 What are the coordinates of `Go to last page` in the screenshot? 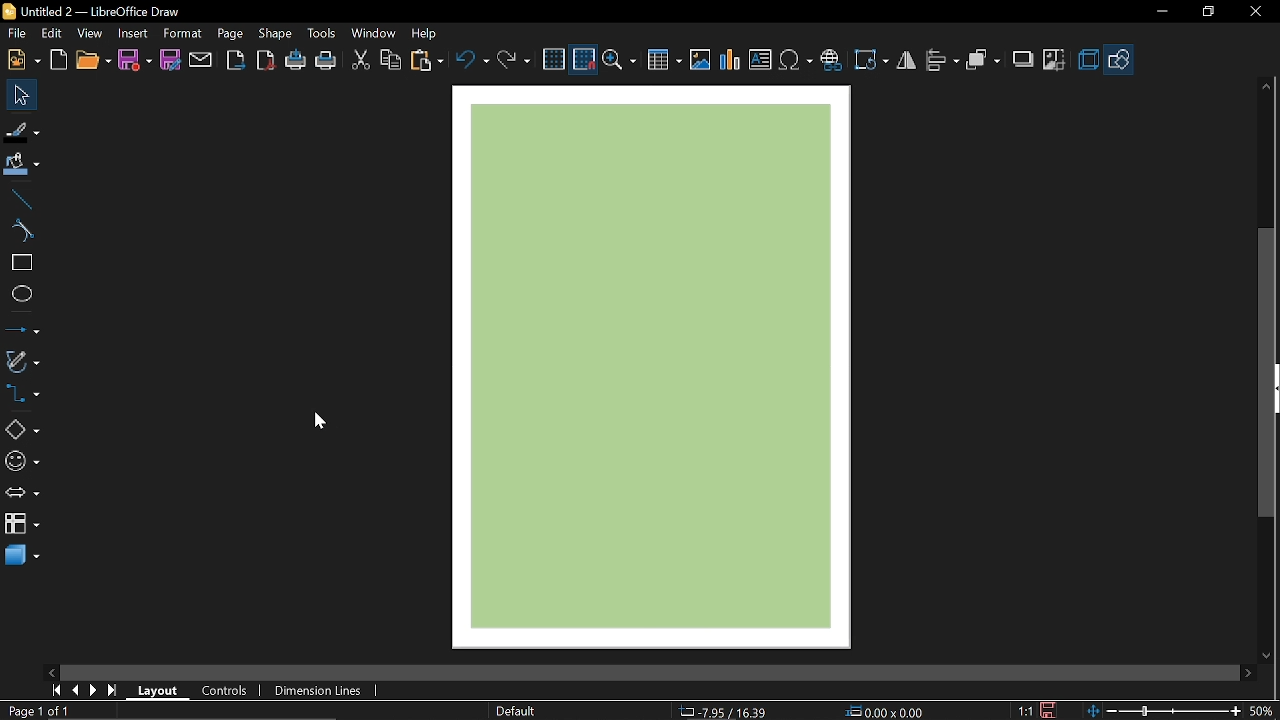 It's located at (115, 691).